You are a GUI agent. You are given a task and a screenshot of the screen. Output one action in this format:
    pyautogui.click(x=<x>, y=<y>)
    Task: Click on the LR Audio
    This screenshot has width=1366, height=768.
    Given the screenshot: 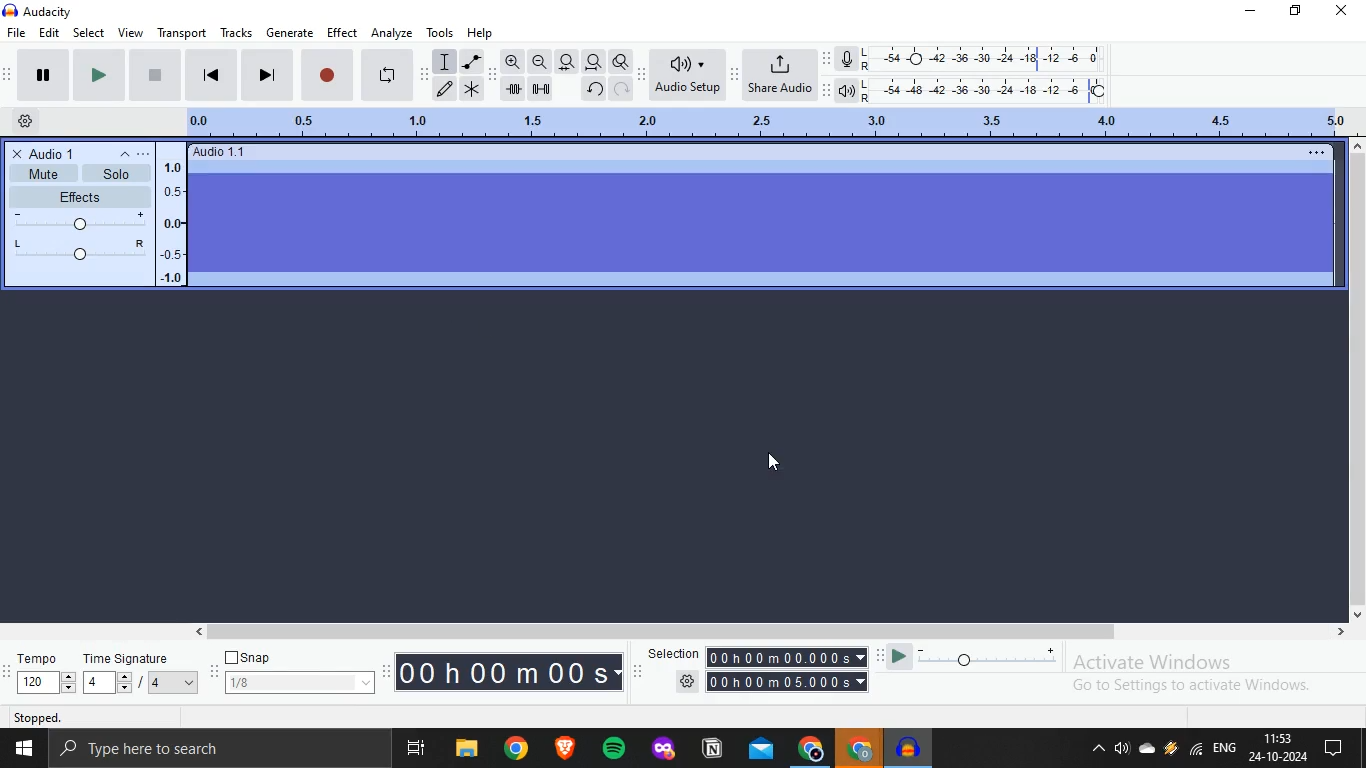 What is the action you would take?
    pyautogui.click(x=978, y=89)
    